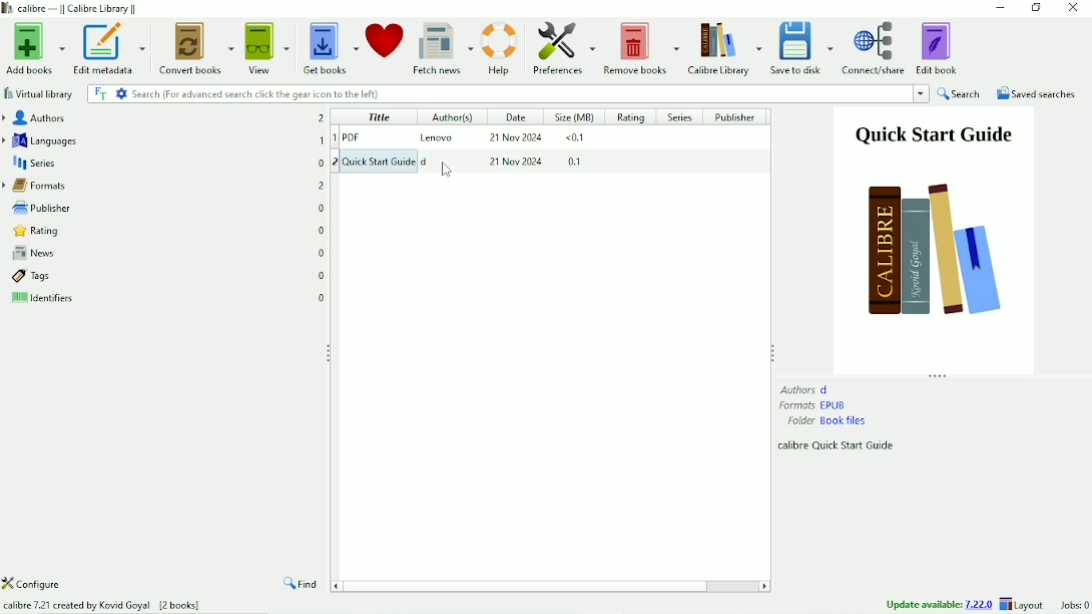 Image resolution: width=1092 pixels, height=614 pixels. What do you see at coordinates (439, 137) in the screenshot?
I see `Lenovo` at bounding box center [439, 137].